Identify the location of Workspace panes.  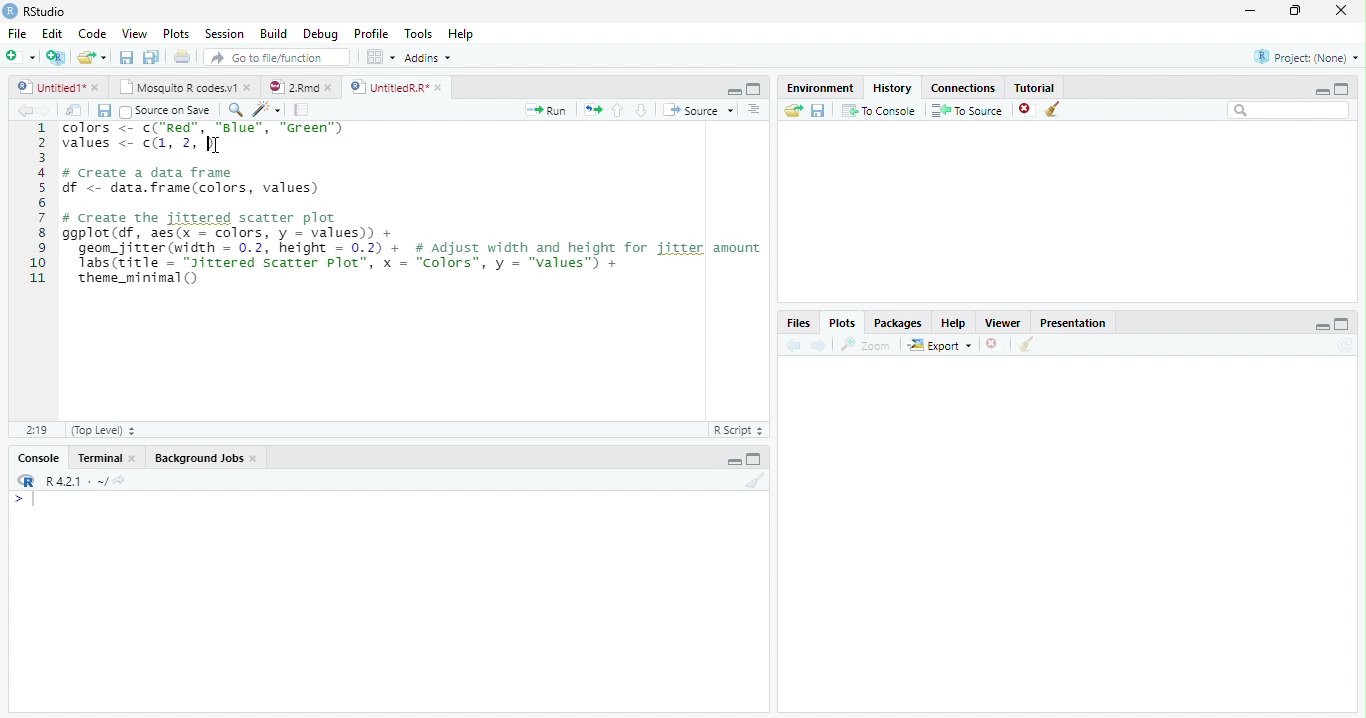
(381, 58).